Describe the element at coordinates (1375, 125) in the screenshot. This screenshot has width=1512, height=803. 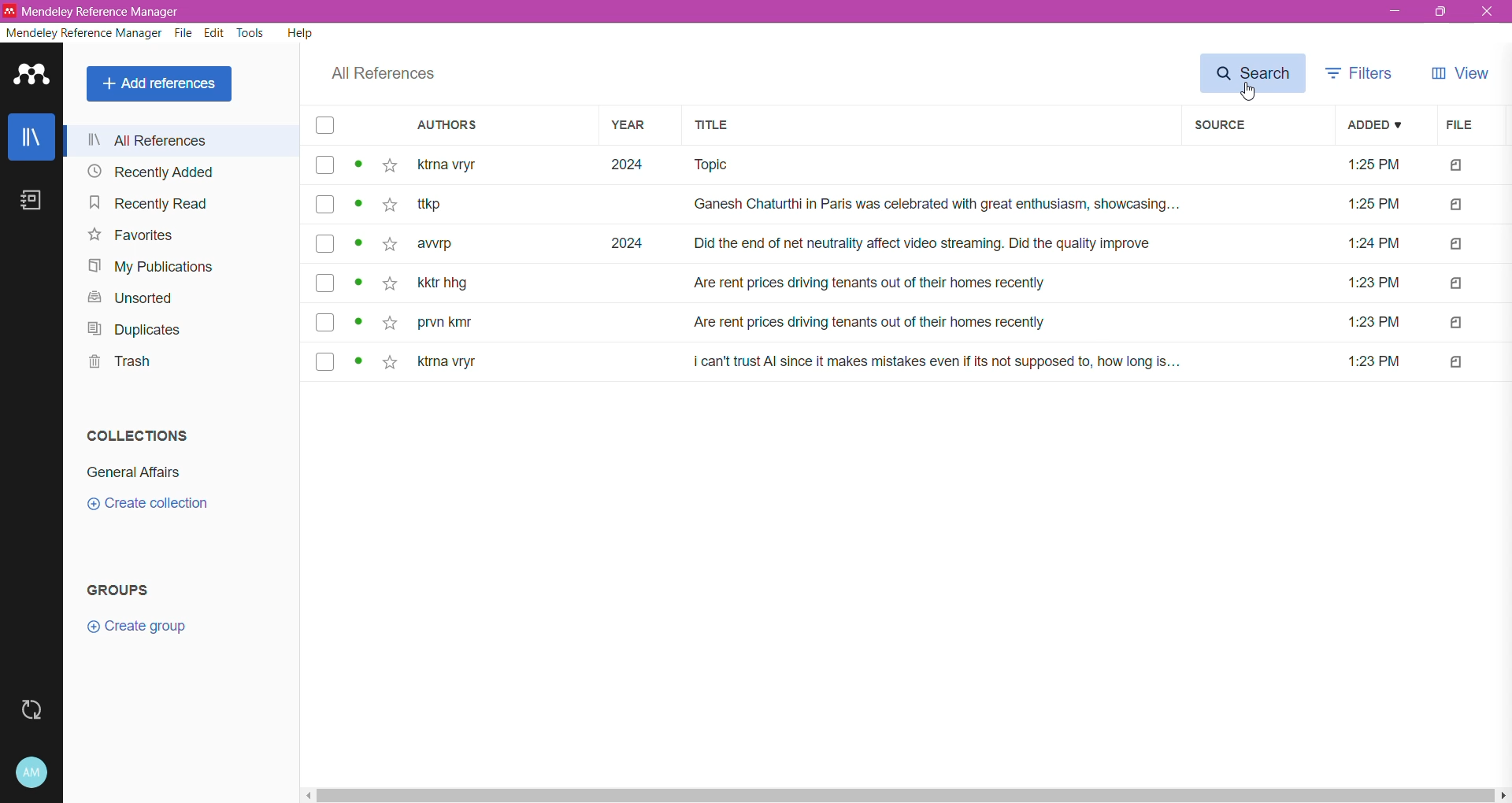
I see `Added` at that location.